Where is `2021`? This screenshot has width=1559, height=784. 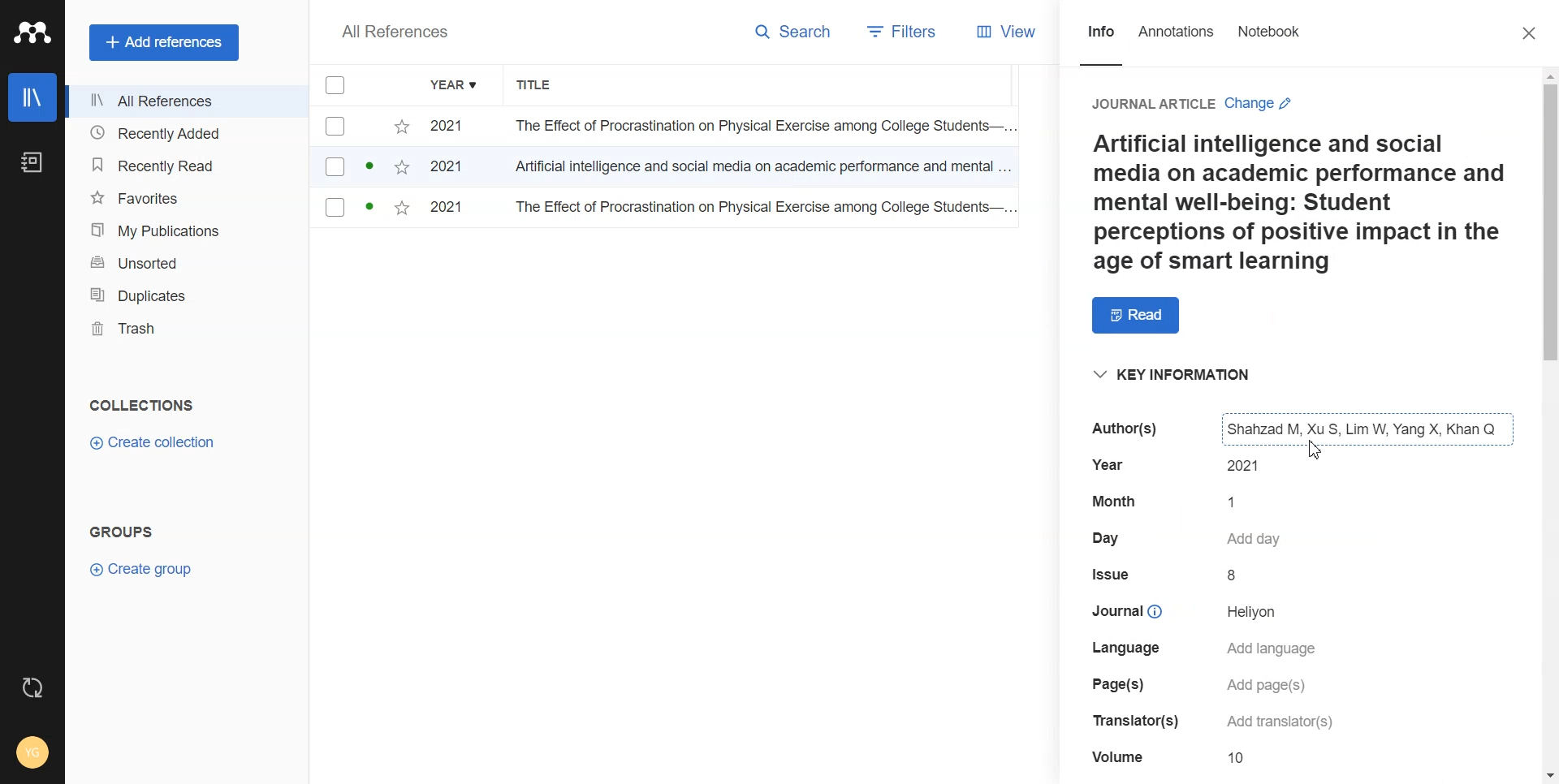 2021 is located at coordinates (453, 170).